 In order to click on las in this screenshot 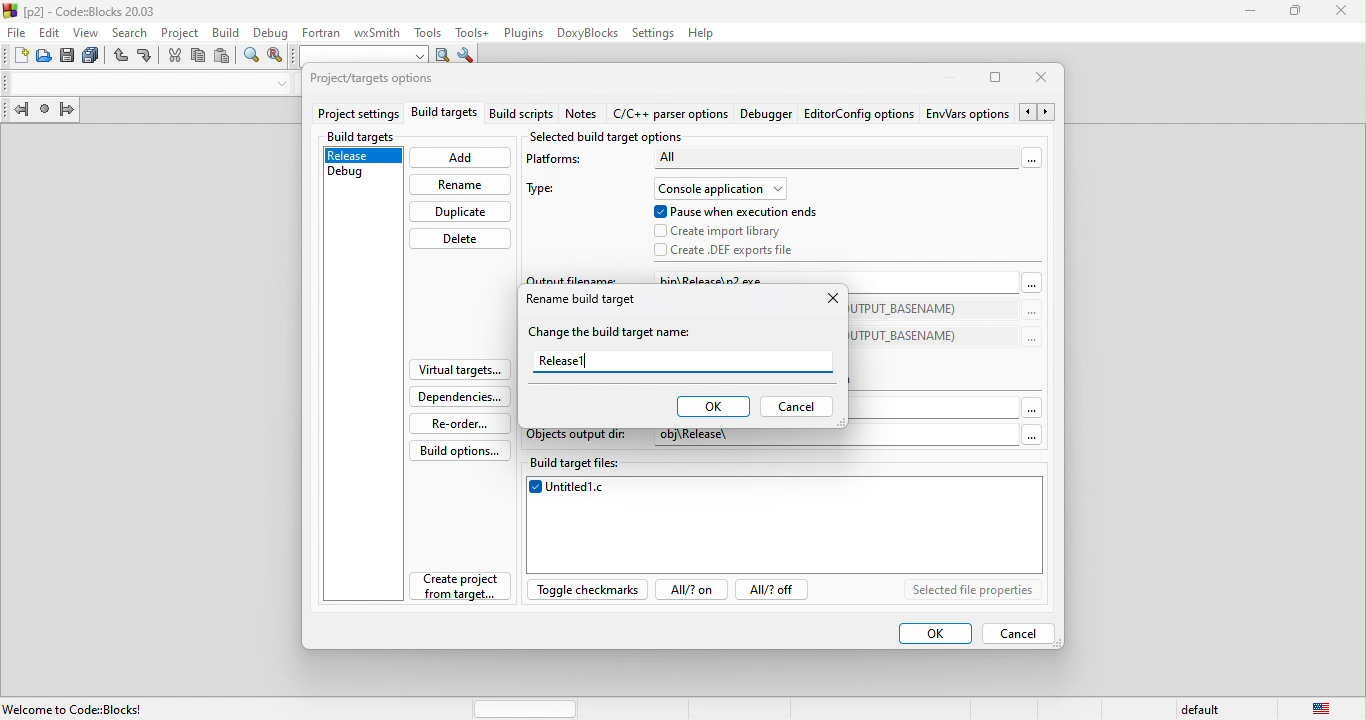, I will do `click(44, 112)`.